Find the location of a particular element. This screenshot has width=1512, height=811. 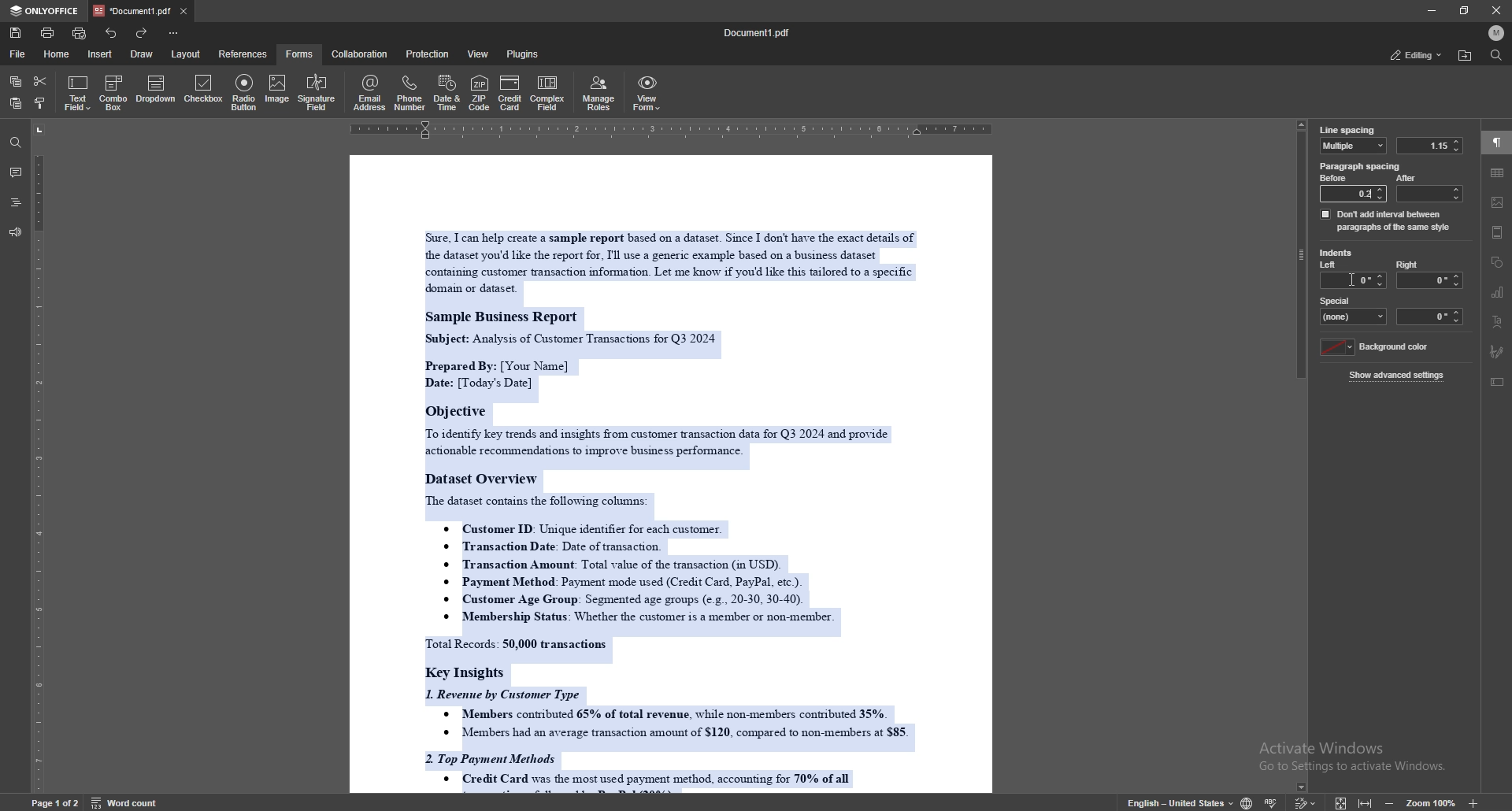

zoom in is located at coordinates (1472, 803).